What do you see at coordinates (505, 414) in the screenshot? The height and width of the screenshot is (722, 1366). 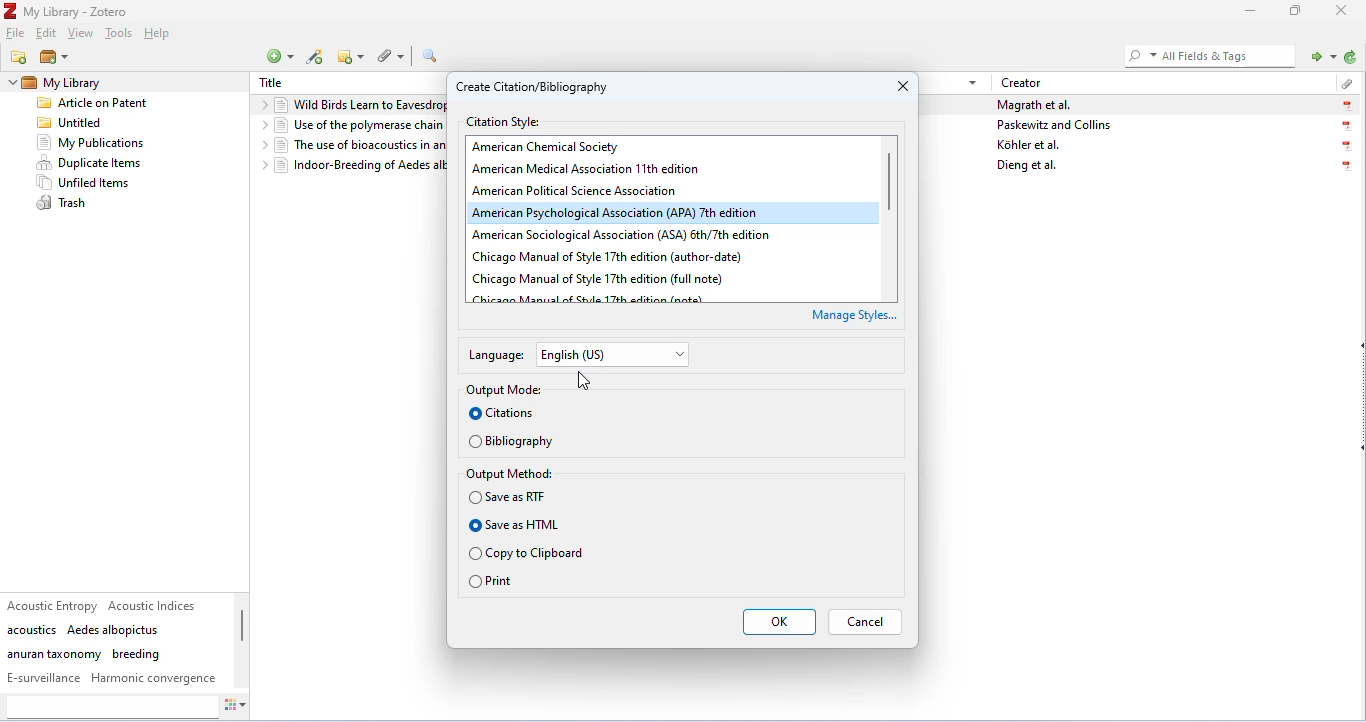 I see `citations` at bounding box center [505, 414].